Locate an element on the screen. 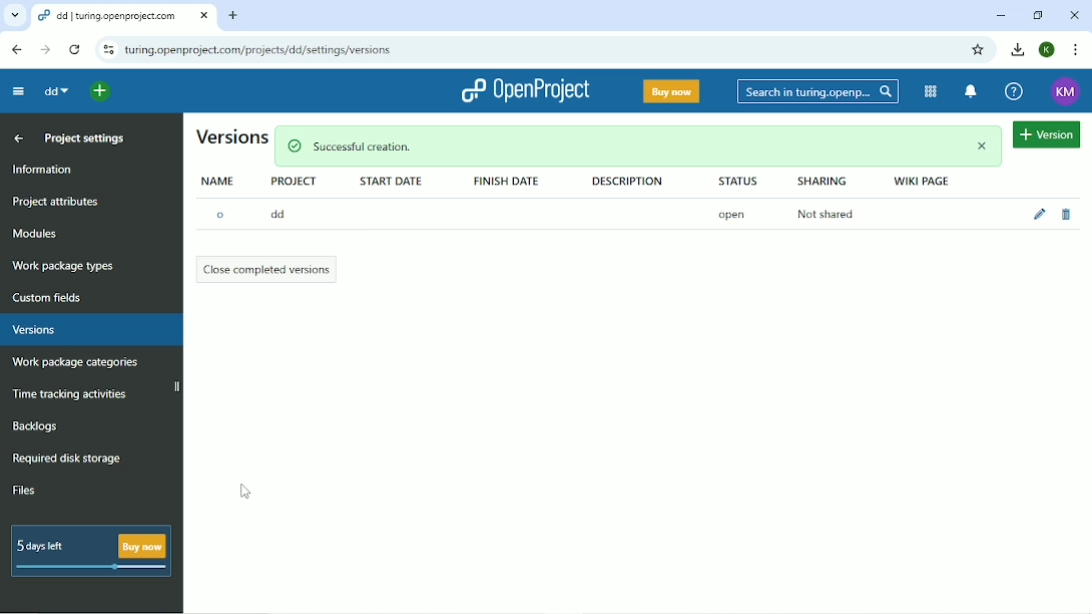 The height and width of the screenshot is (614, 1092). OpenProject is located at coordinates (525, 91).